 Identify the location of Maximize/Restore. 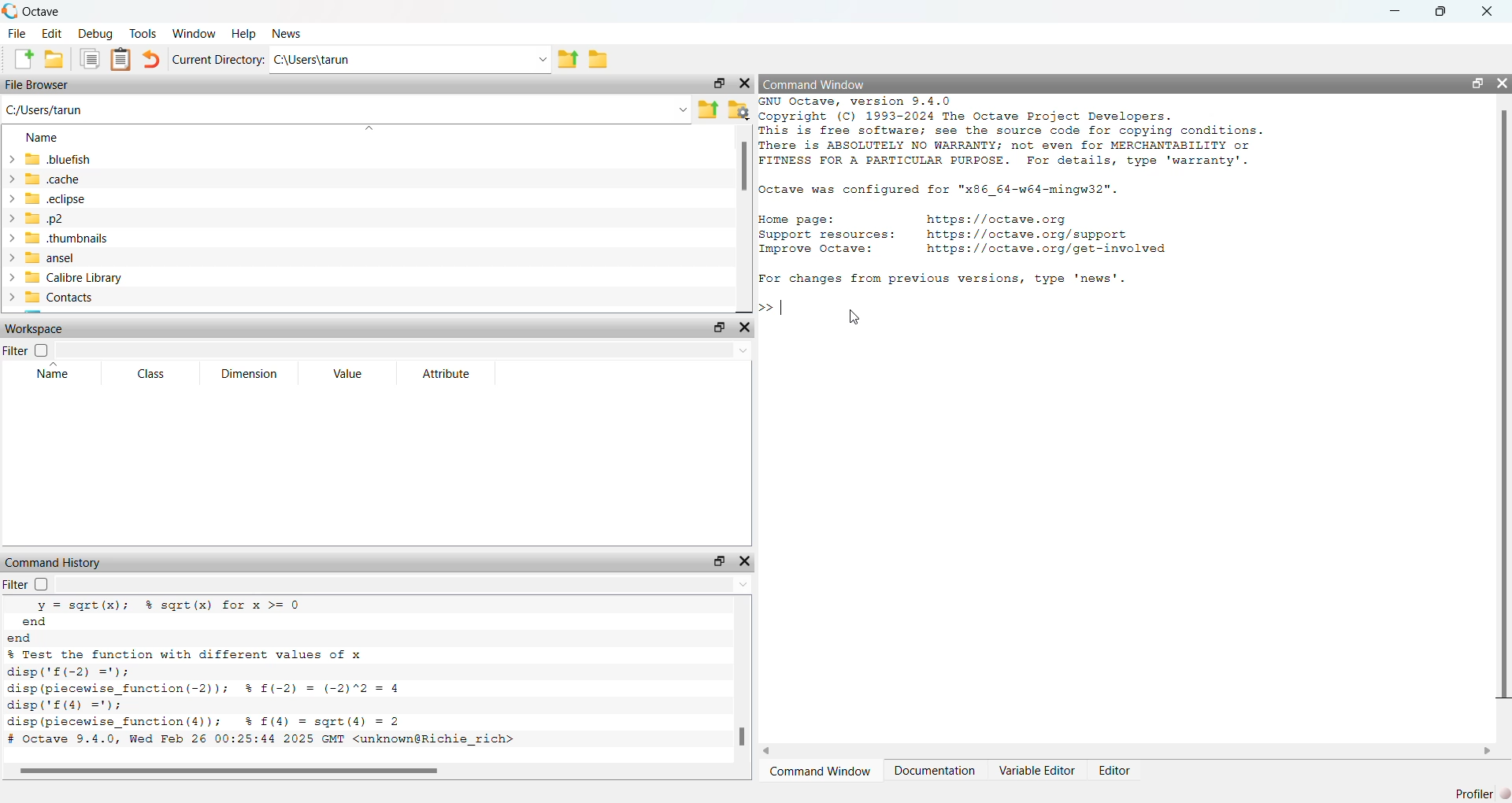
(1441, 13).